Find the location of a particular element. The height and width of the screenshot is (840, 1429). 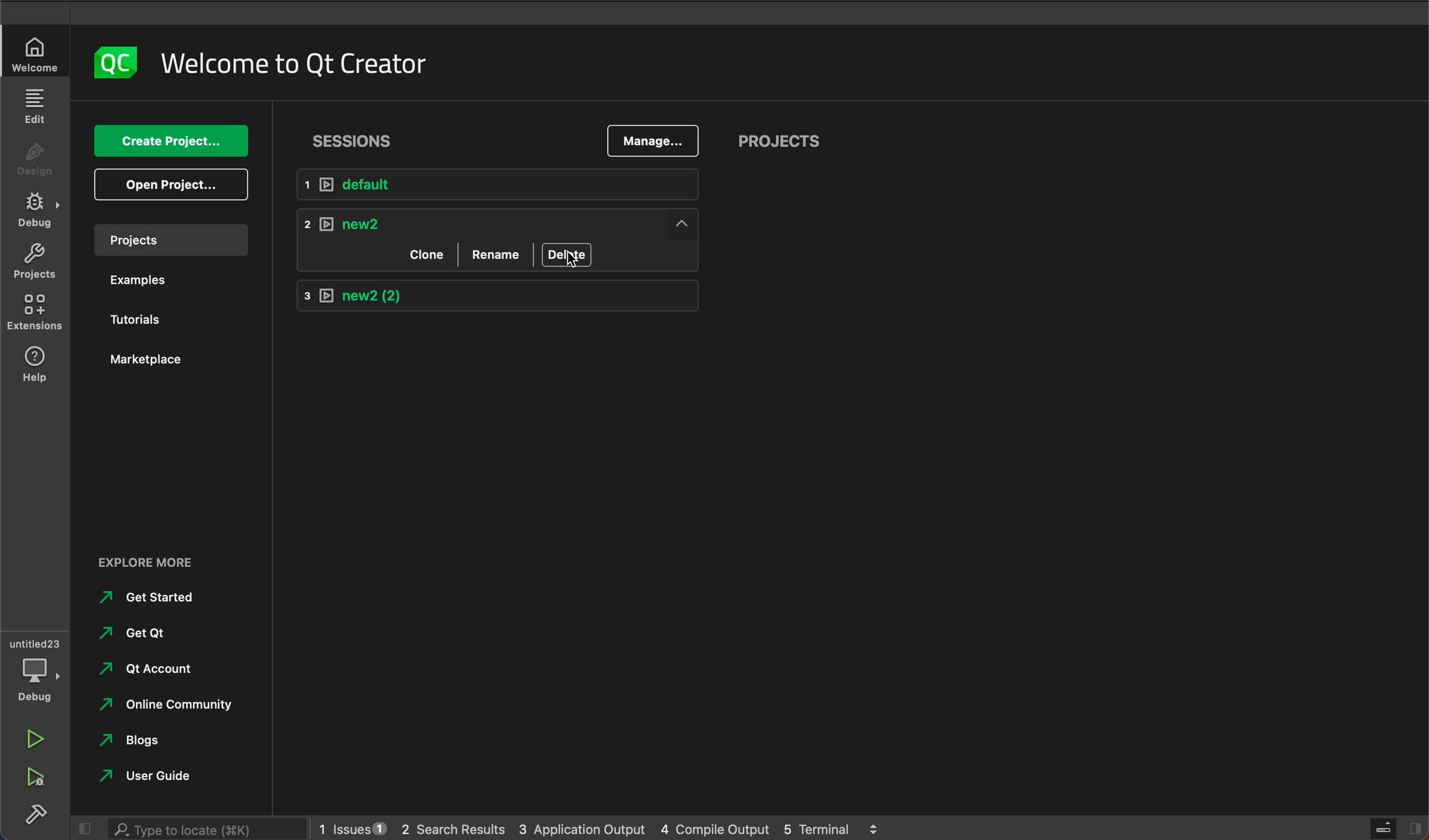

tutorials is located at coordinates (158, 320).